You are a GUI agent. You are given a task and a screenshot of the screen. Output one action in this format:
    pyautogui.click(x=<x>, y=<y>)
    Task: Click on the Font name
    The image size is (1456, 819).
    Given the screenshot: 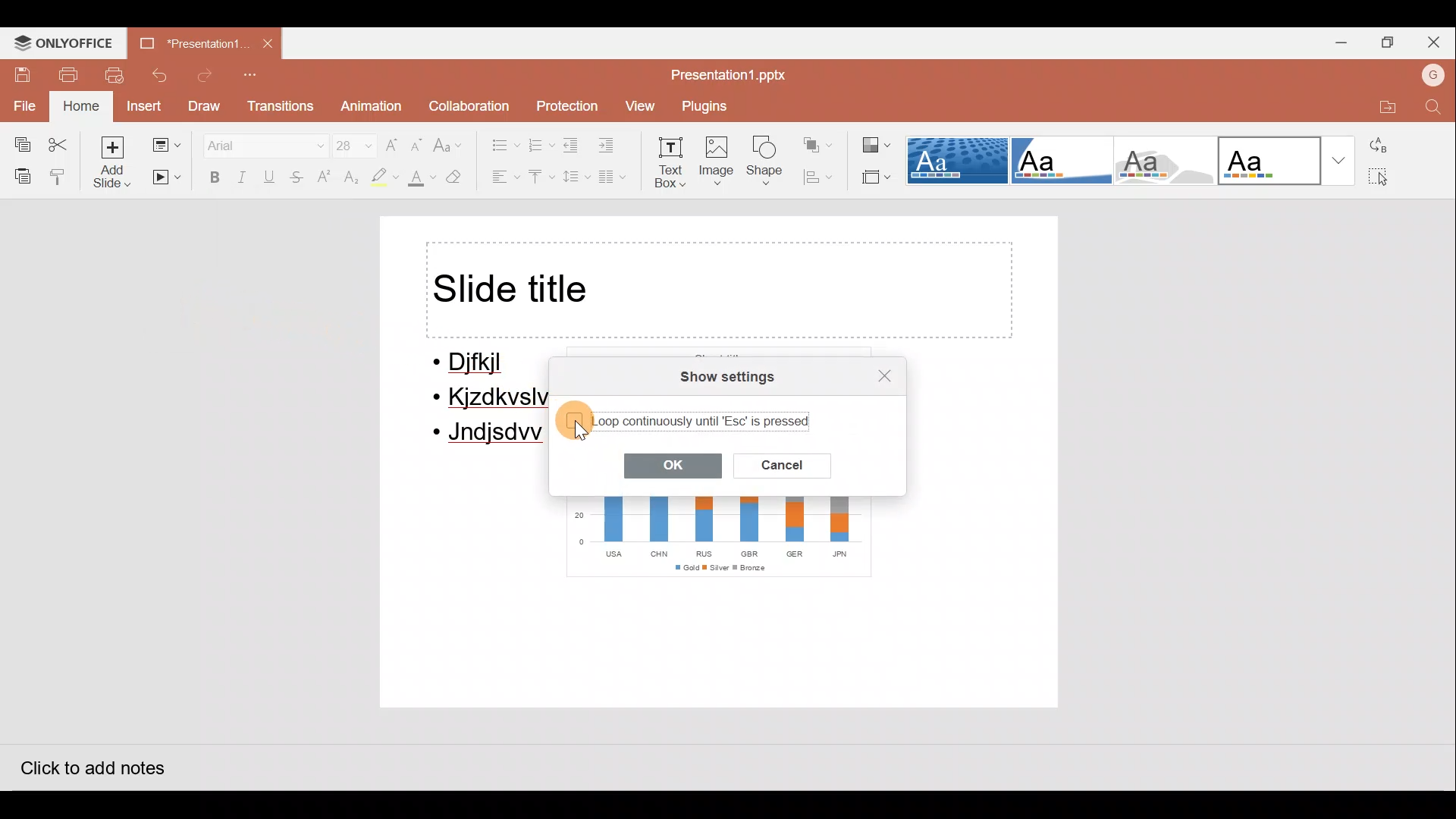 What is the action you would take?
    pyautogui.click(x=262, y=143)
    